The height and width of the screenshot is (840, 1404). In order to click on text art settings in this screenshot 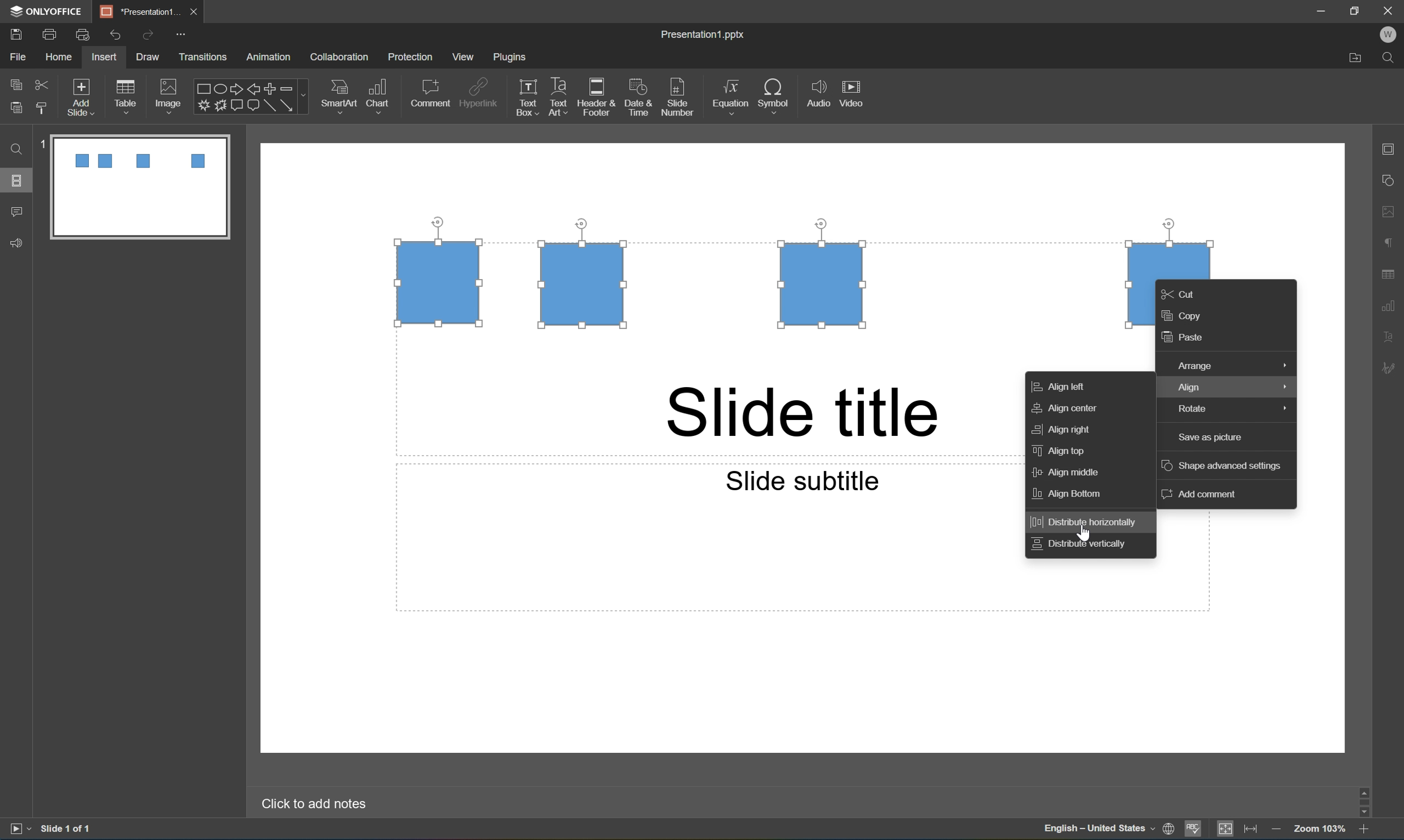, I will do `click(1394, 337)`.